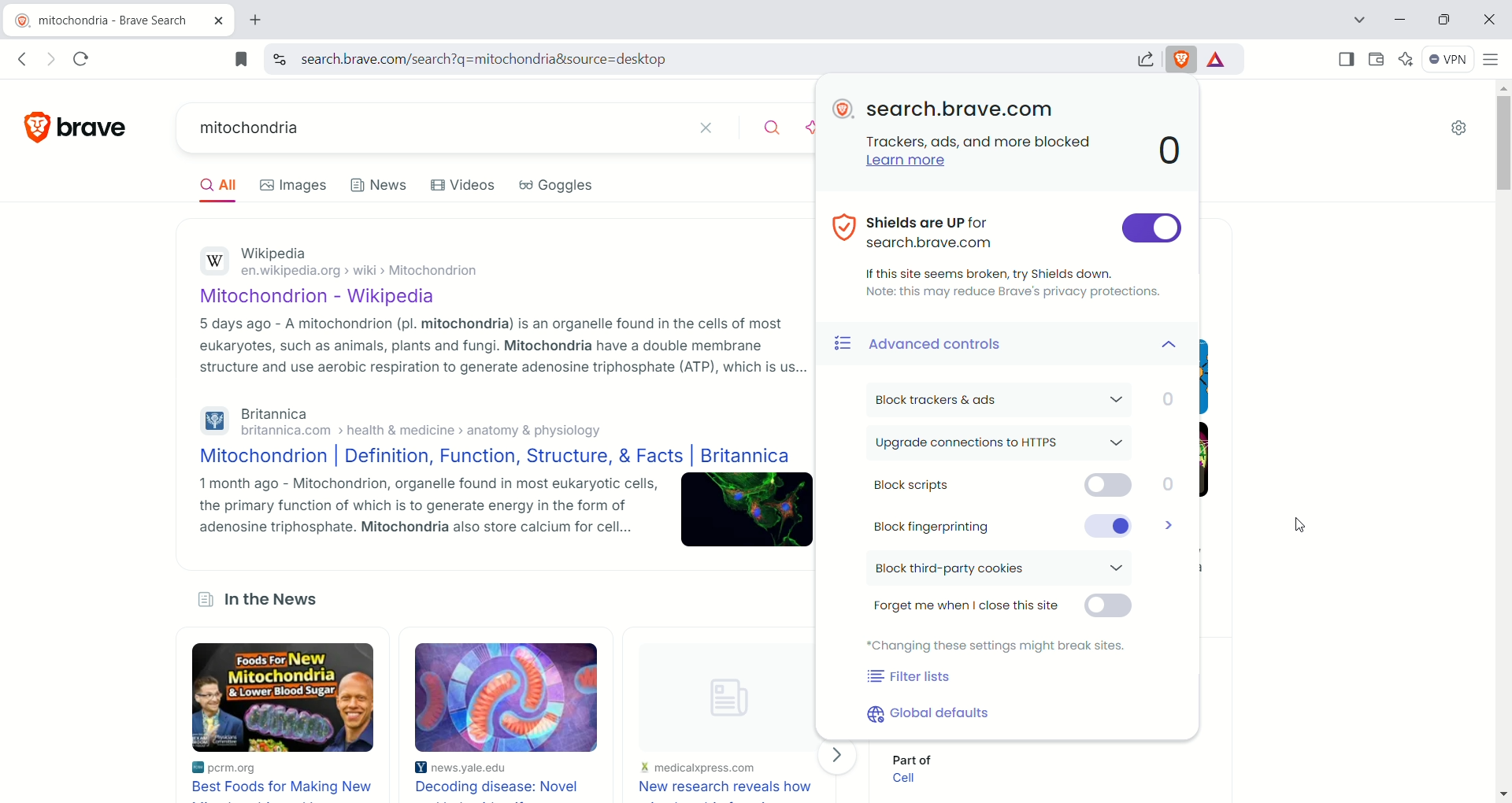  Describe the element at coordinates (294, 185) in the screenshot. I see `Images` at that location.